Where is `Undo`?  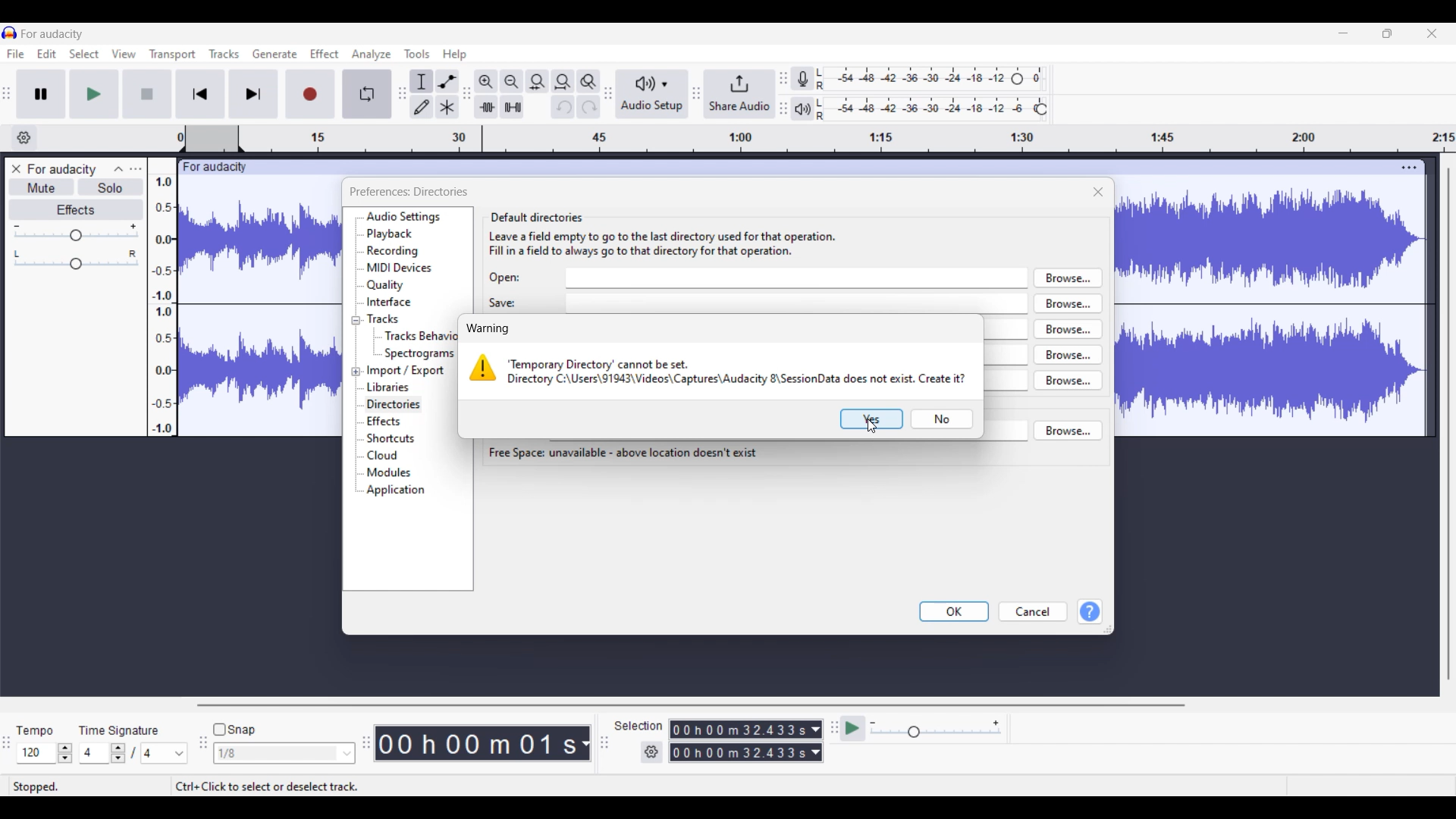 Undo is located at coordinates (563, 107).